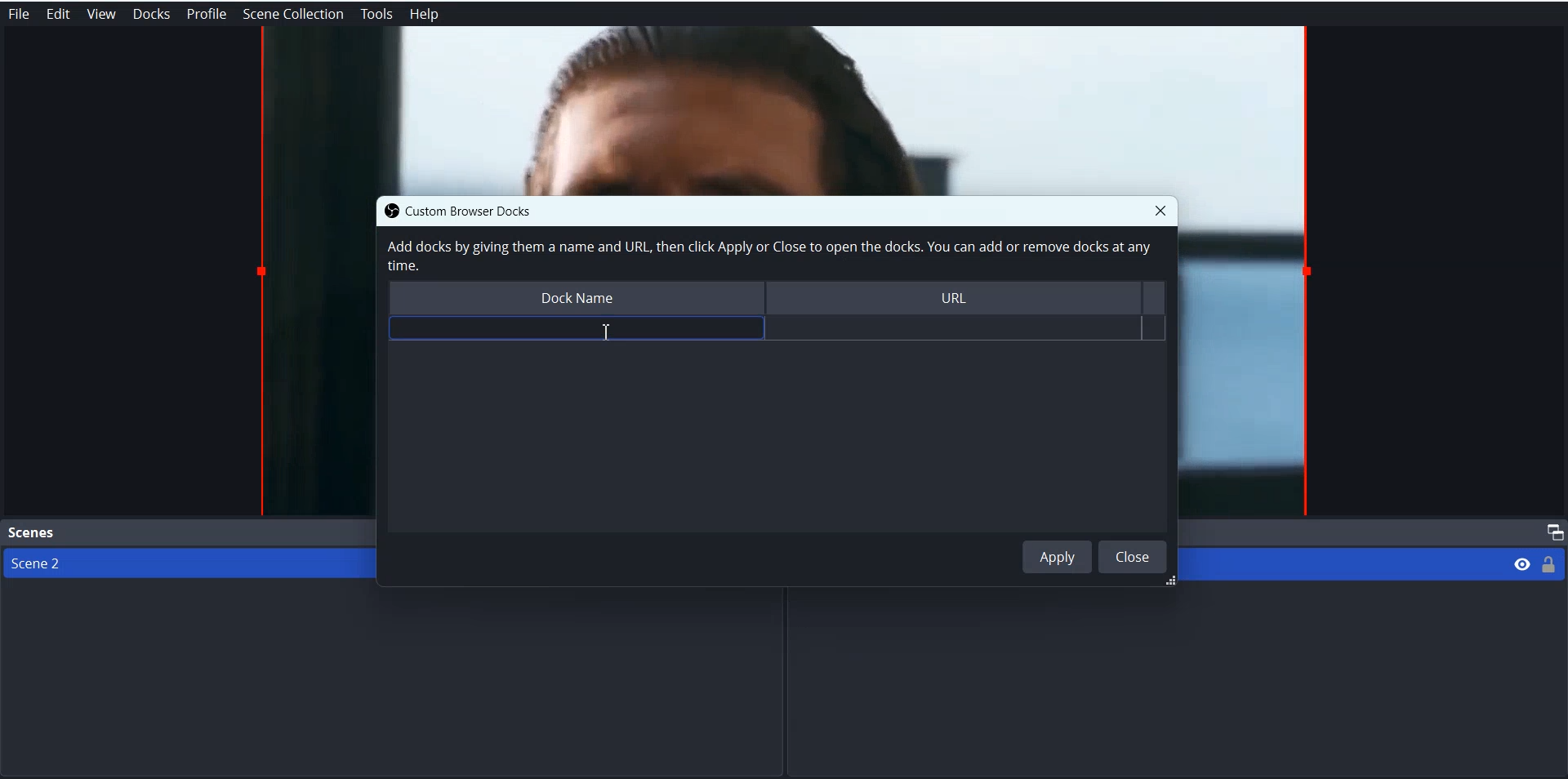  What do you see at coordinates (609, 330) in the screenshot?
I see `Text Cursor` at bounding box center [609, 330].